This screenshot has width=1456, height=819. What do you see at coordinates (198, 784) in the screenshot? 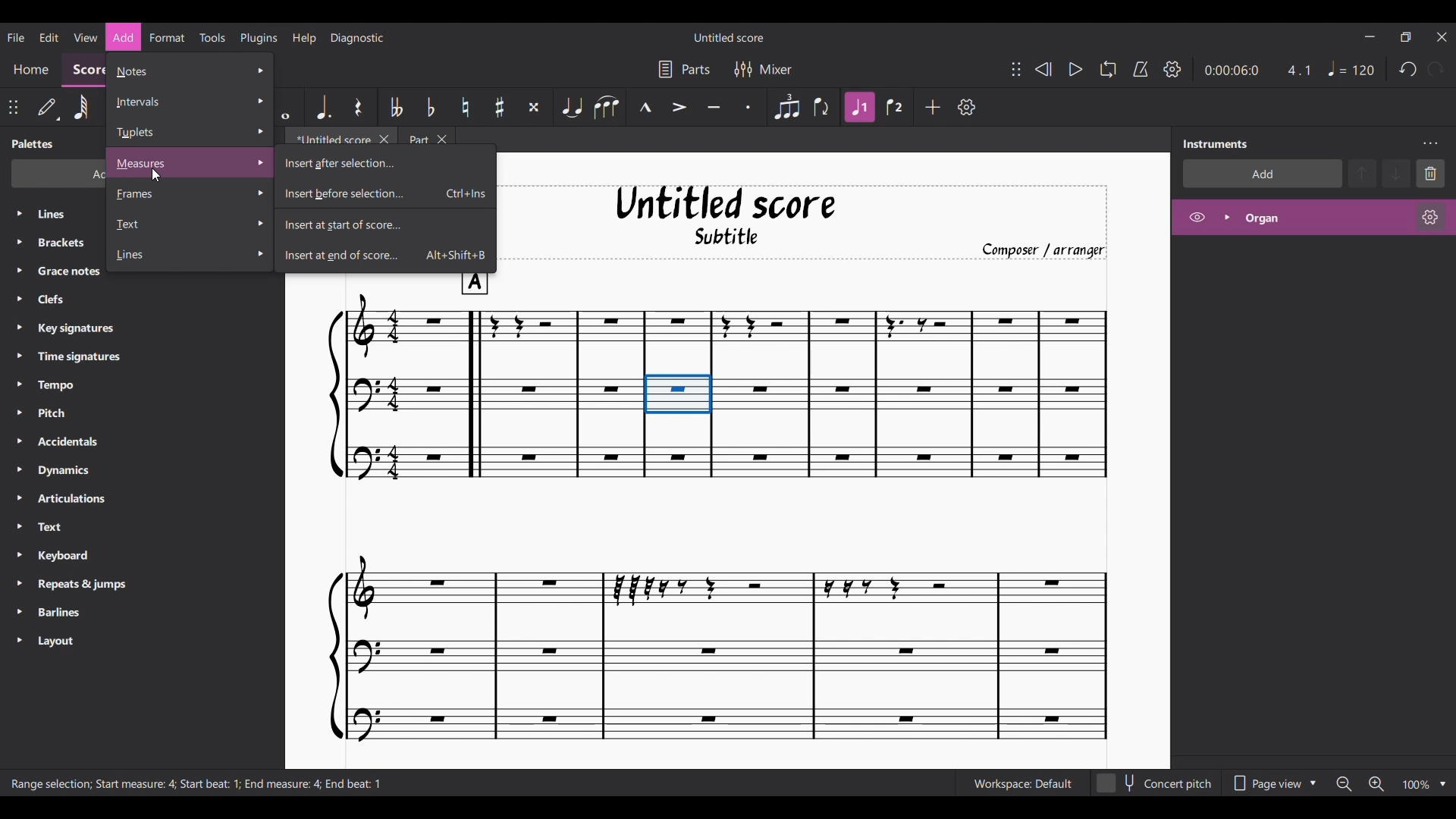
I see `Description of current selection` at bounding box center [198, 784].